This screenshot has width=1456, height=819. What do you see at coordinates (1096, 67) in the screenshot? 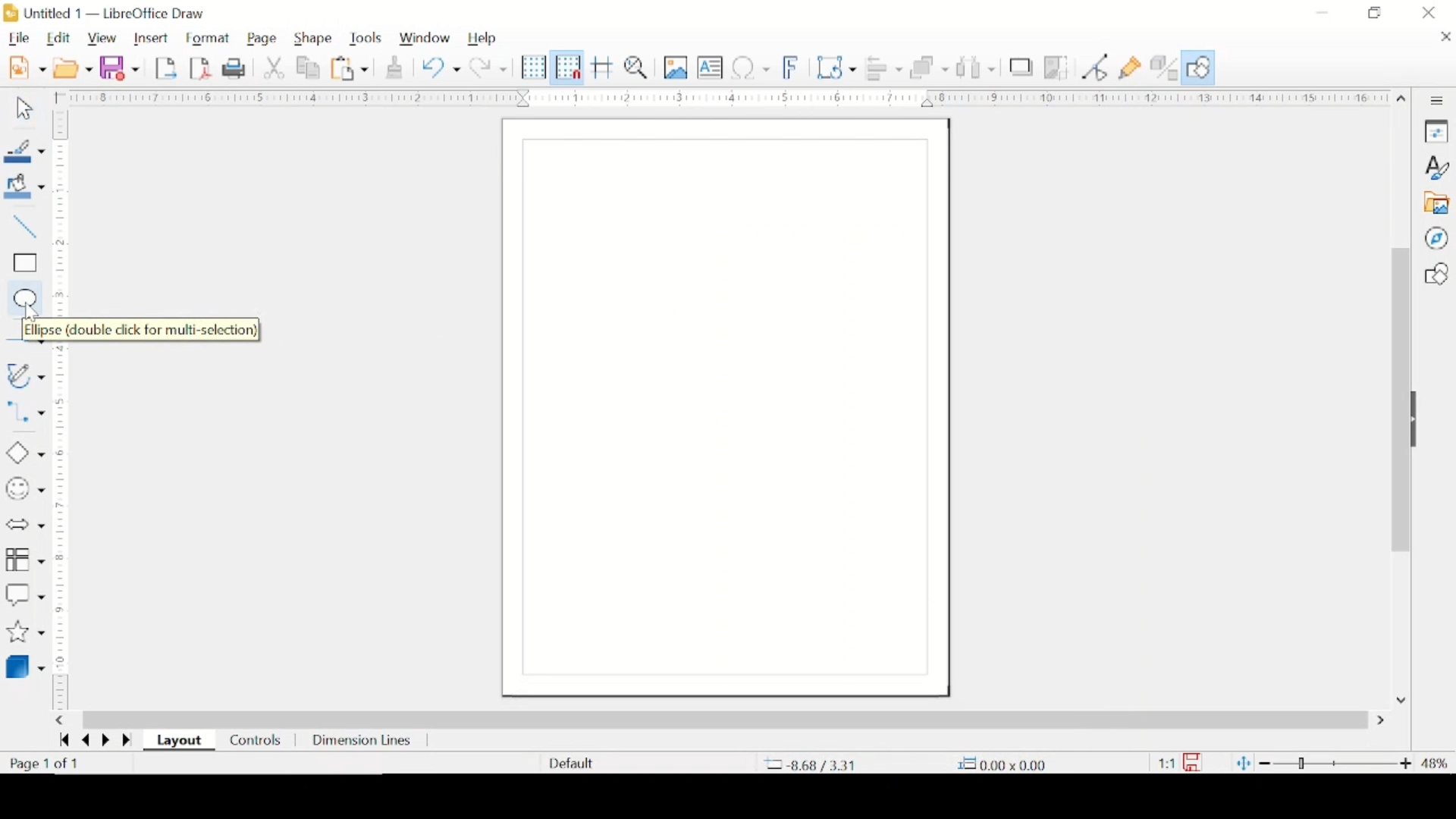
I see `toggle point edit mode ` at bounding box center [1096, 67].